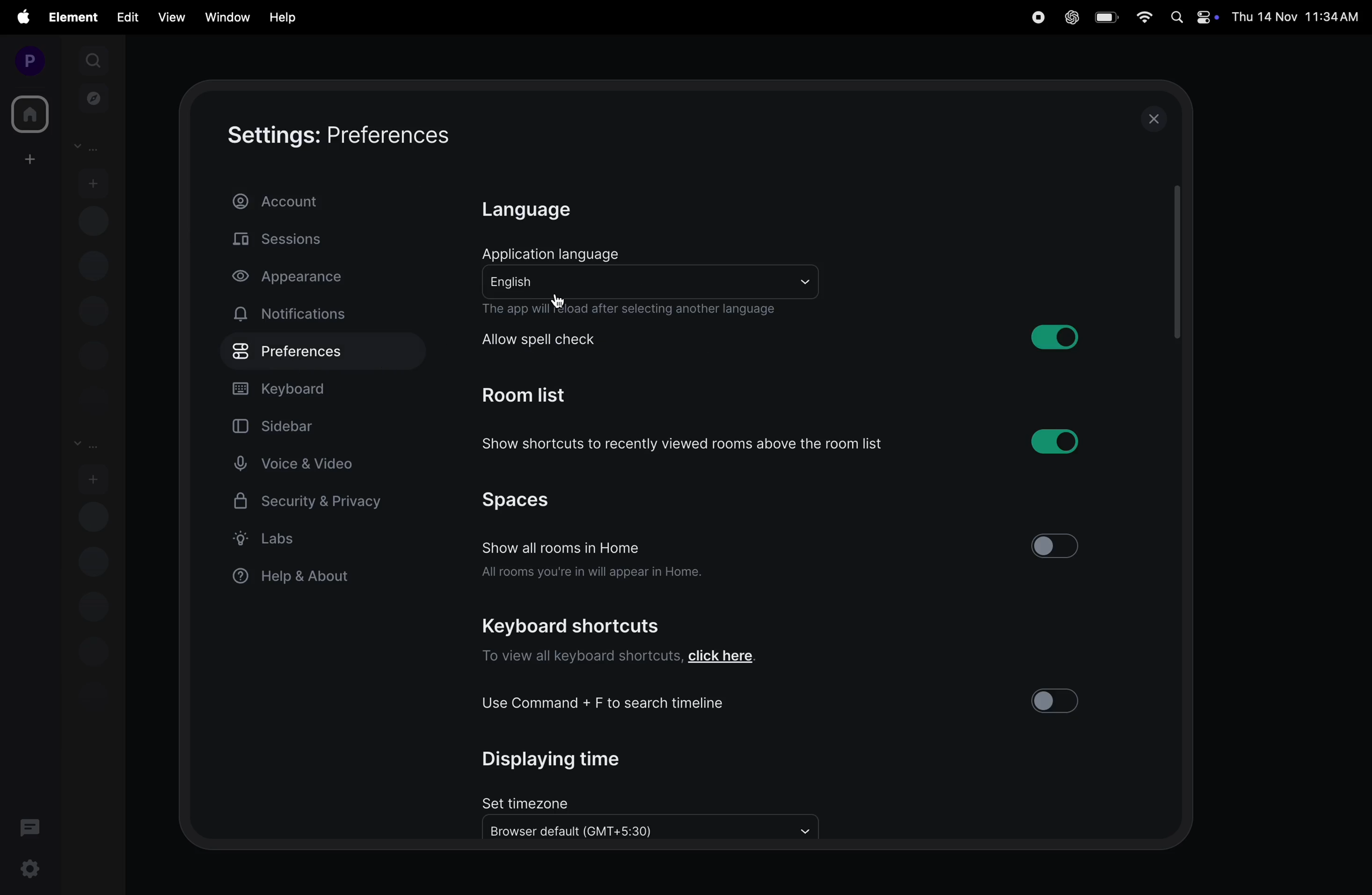  What do you see at coordinates (86, 446) in the screenshot?
I see `rooms` at bounding box center [86, 446].